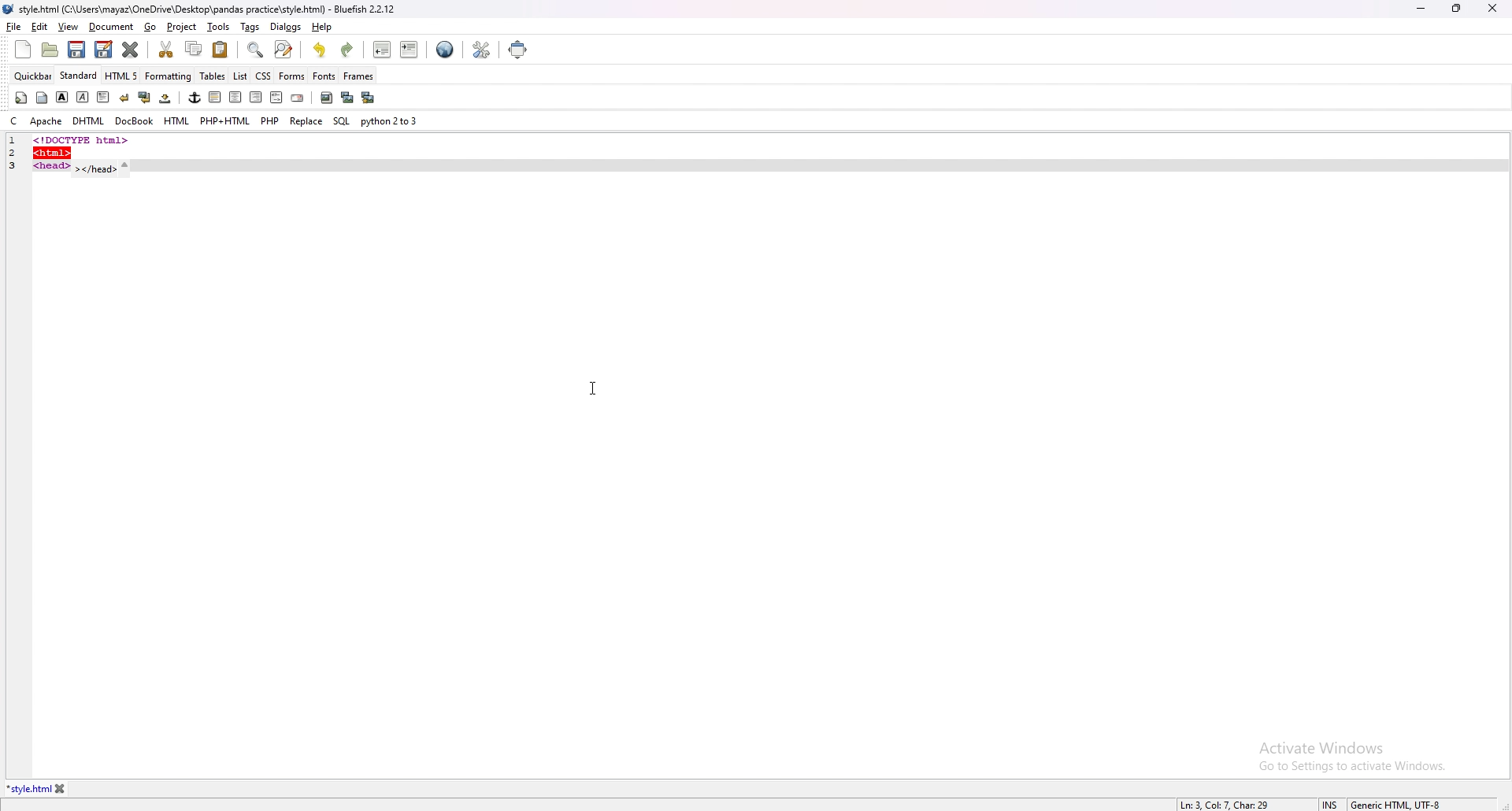 This screenshot has height=811, width=1512. What do you see at coordinates (358, 76) in the screenshot?
I see `frames` at bounding box center [358, 76].